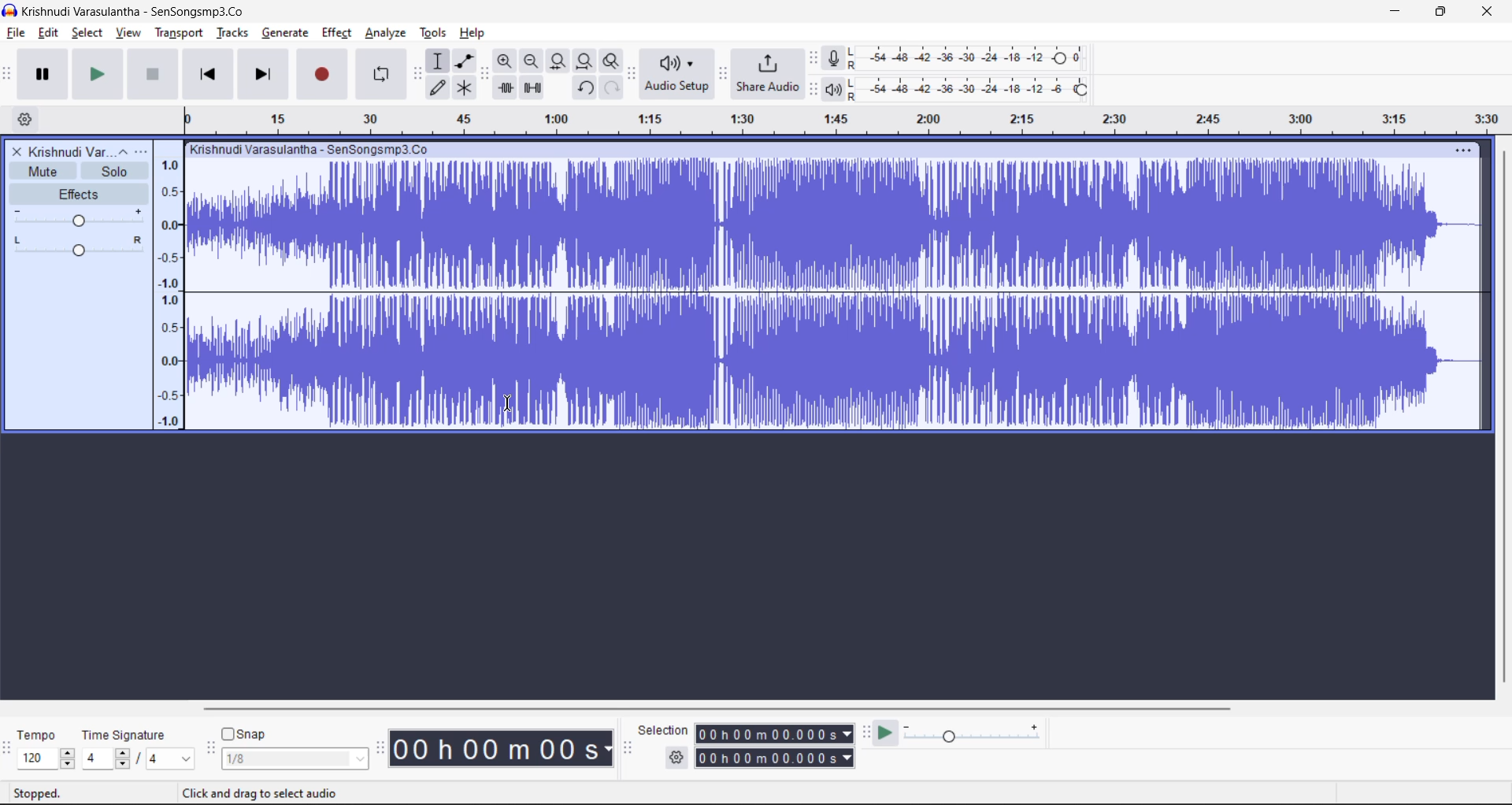  I want to click on screen prompt, so click(263, 794).